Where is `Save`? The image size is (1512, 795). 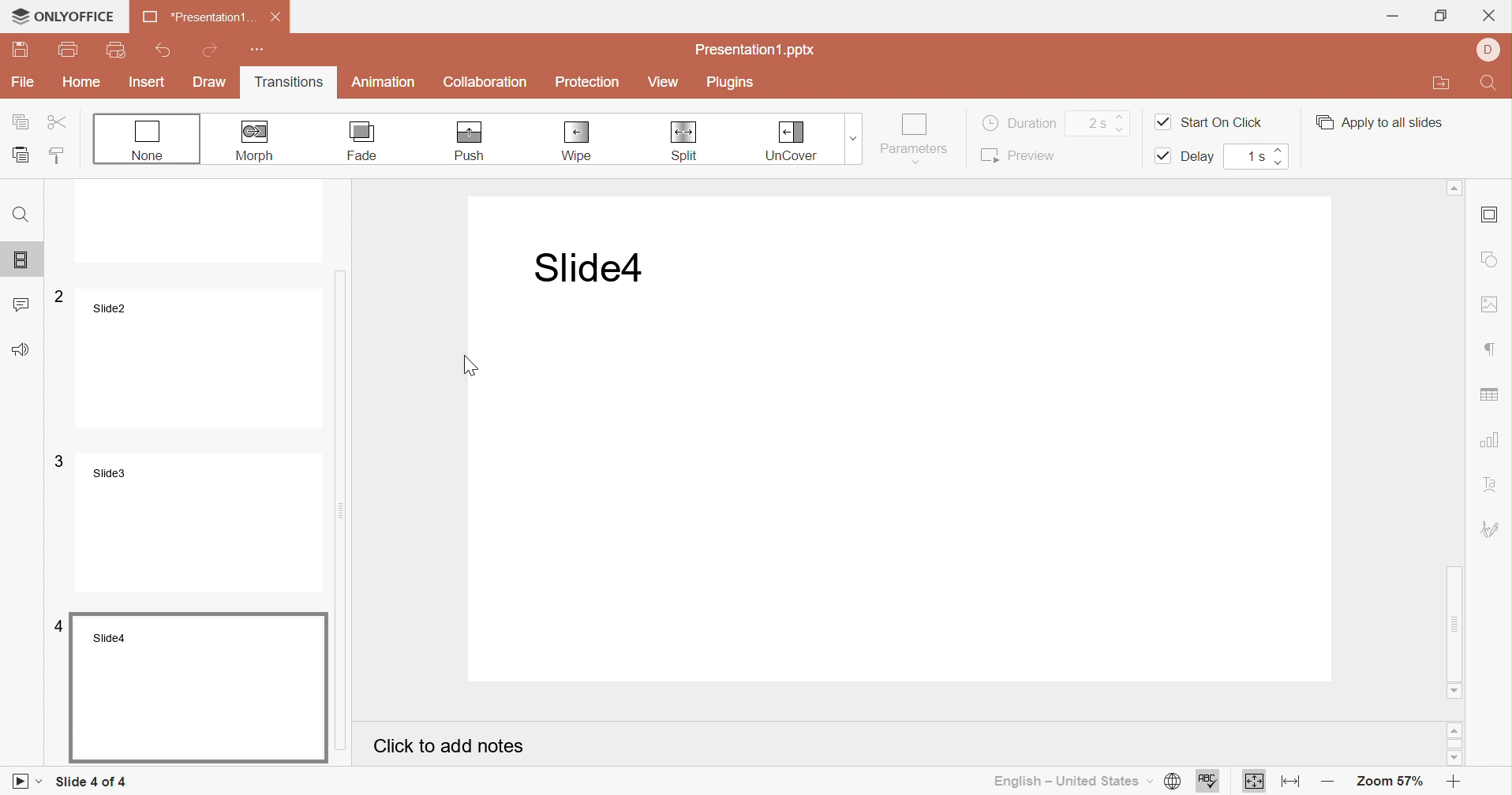
Save is located at coordinates (19, 51).